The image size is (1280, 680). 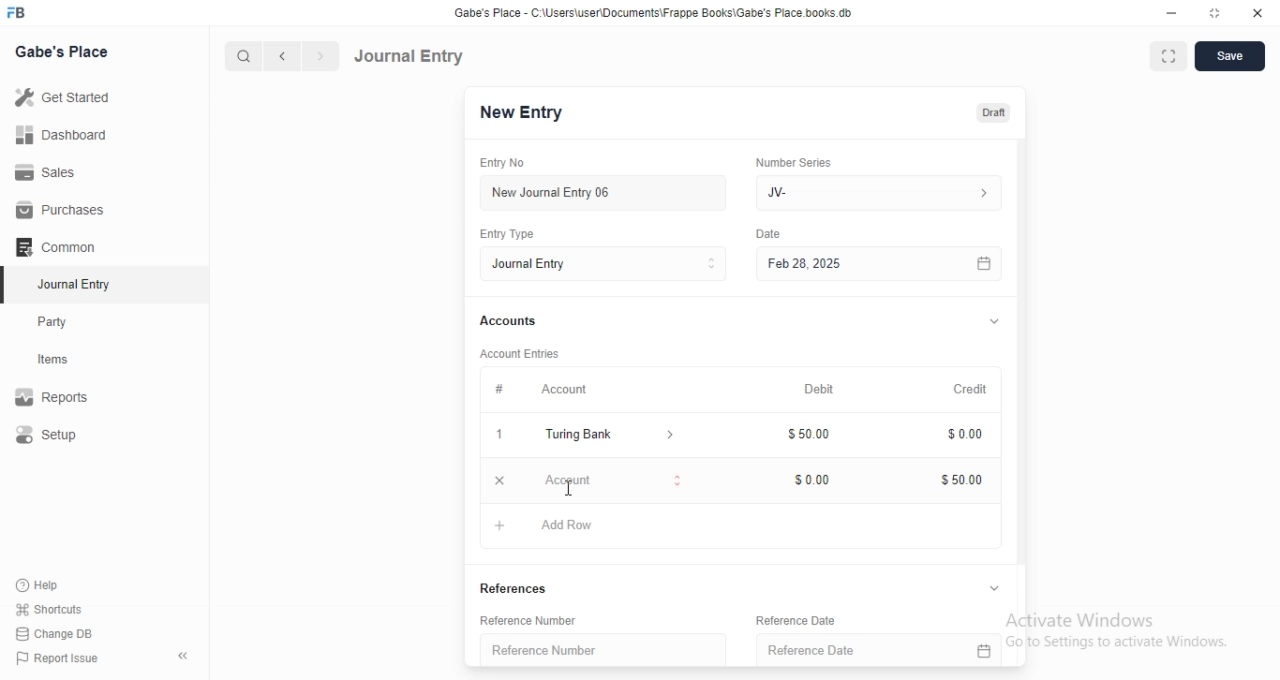 What do you see at coordinates (1172, 57) in the screenshot?
I see `full screen` at bounding box center [1172, 57].